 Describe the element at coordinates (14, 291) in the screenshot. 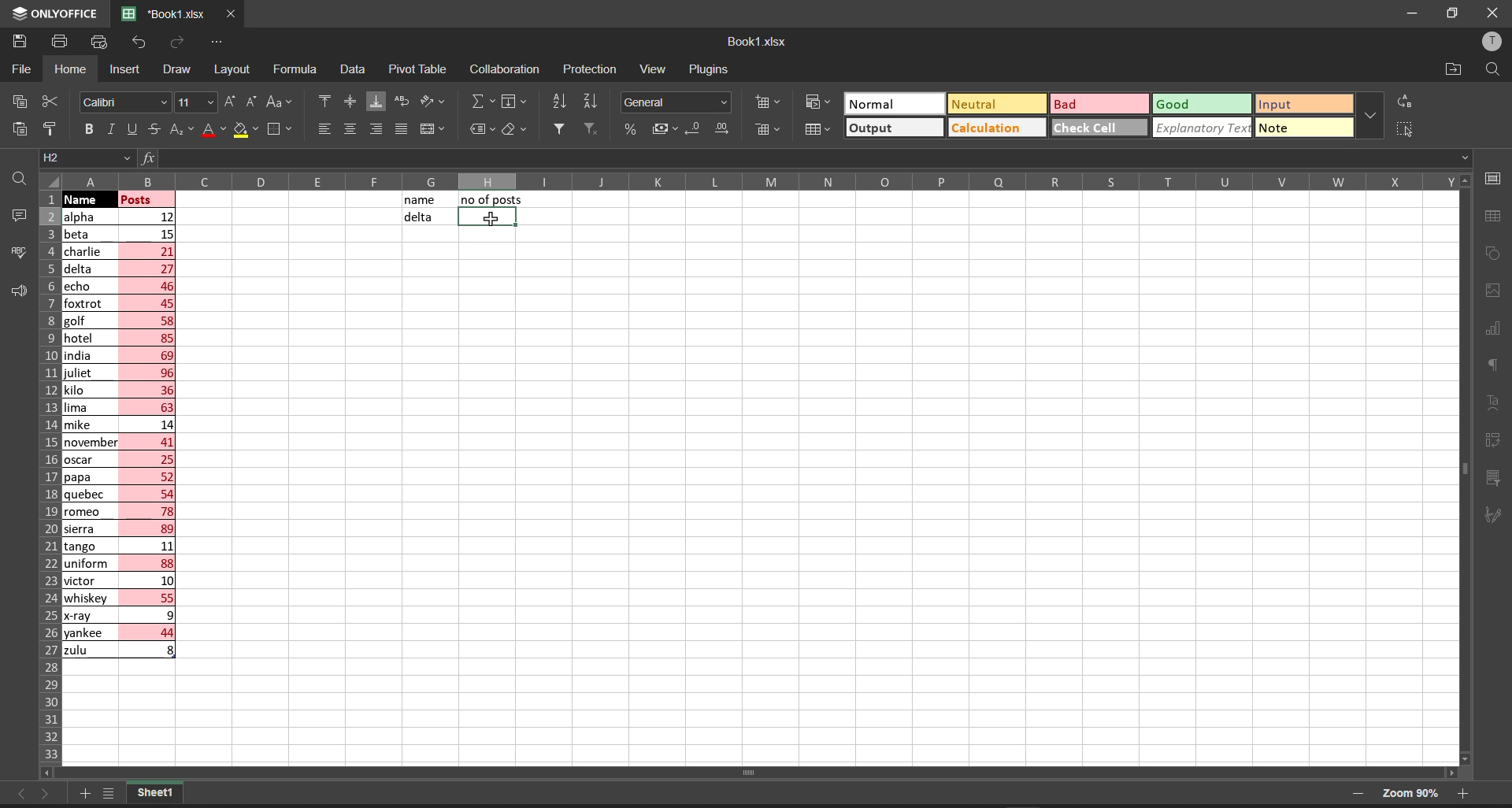

I see `feedback and support` at that location.